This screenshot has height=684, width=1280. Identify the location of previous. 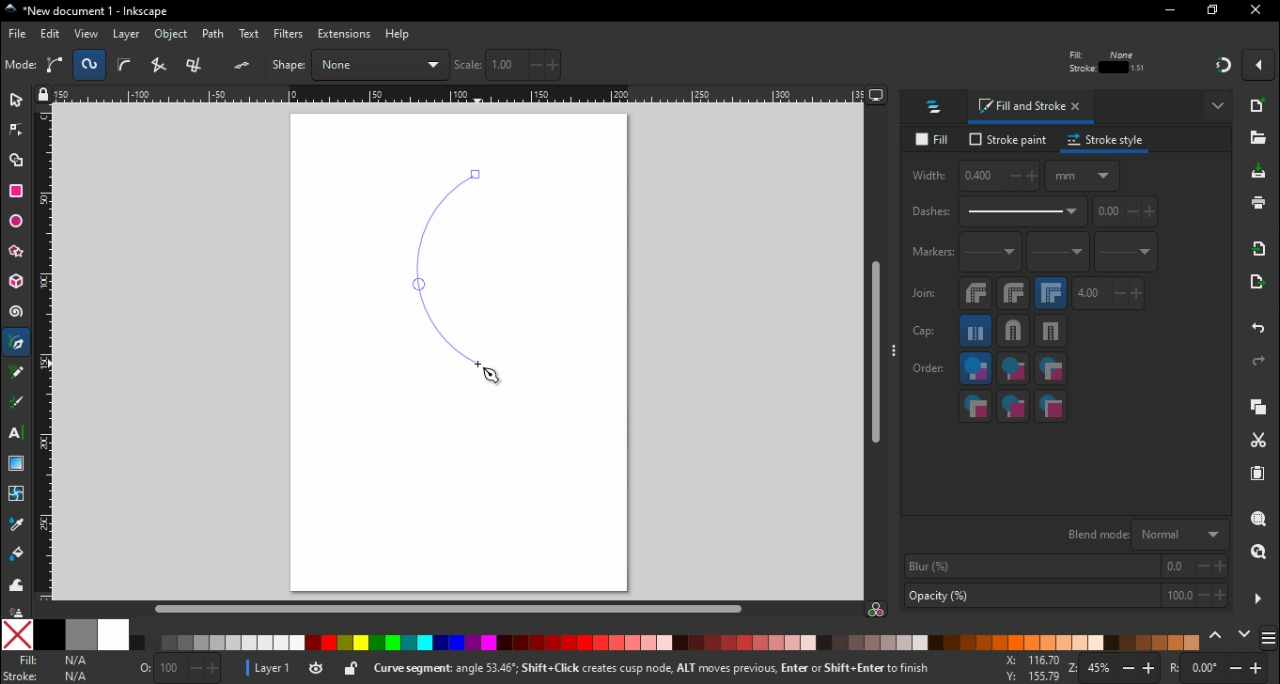
(1217, 635).